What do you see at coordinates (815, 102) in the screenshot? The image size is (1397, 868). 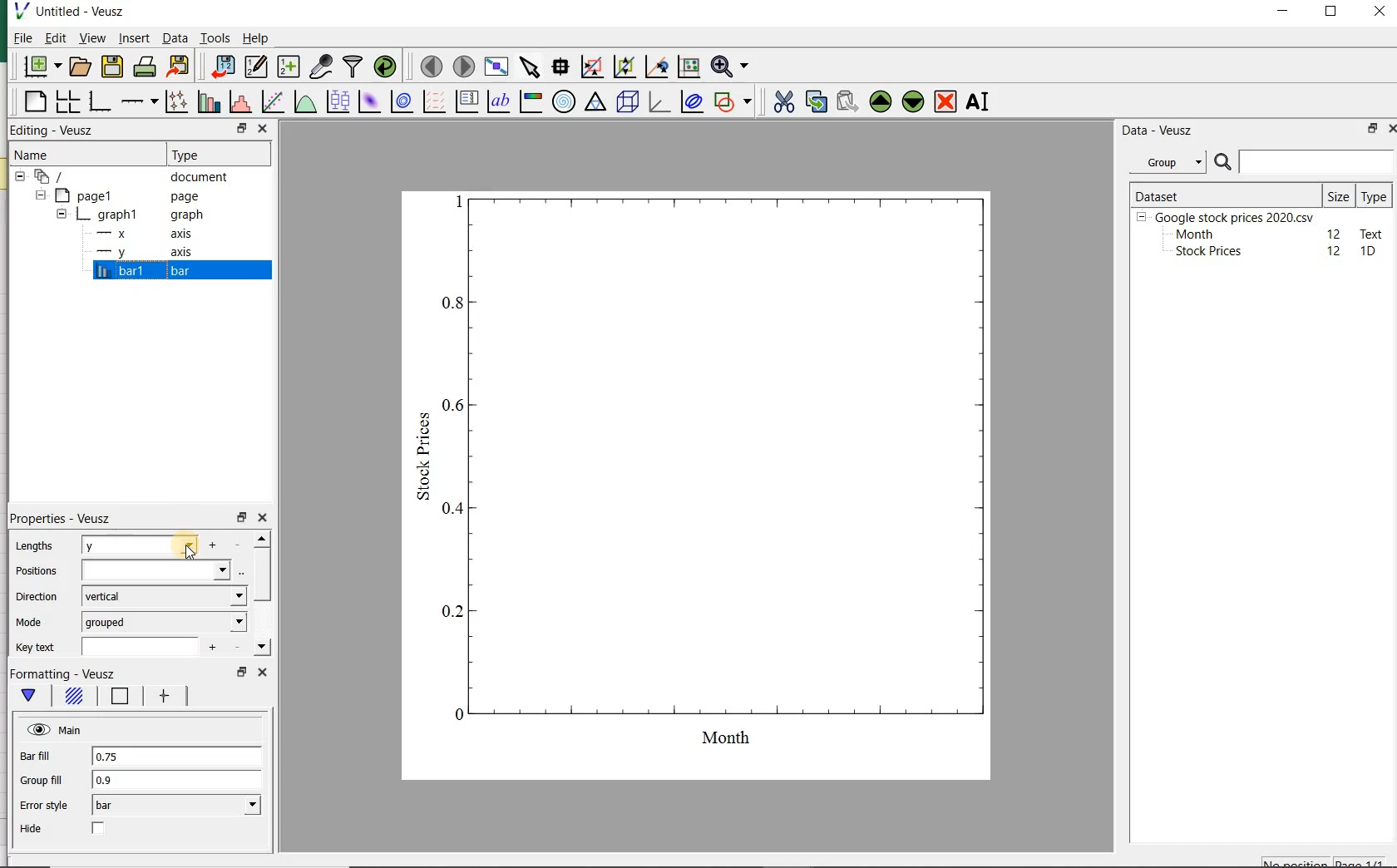 I see `copy the selected widget` at bounding box center [815, 102].